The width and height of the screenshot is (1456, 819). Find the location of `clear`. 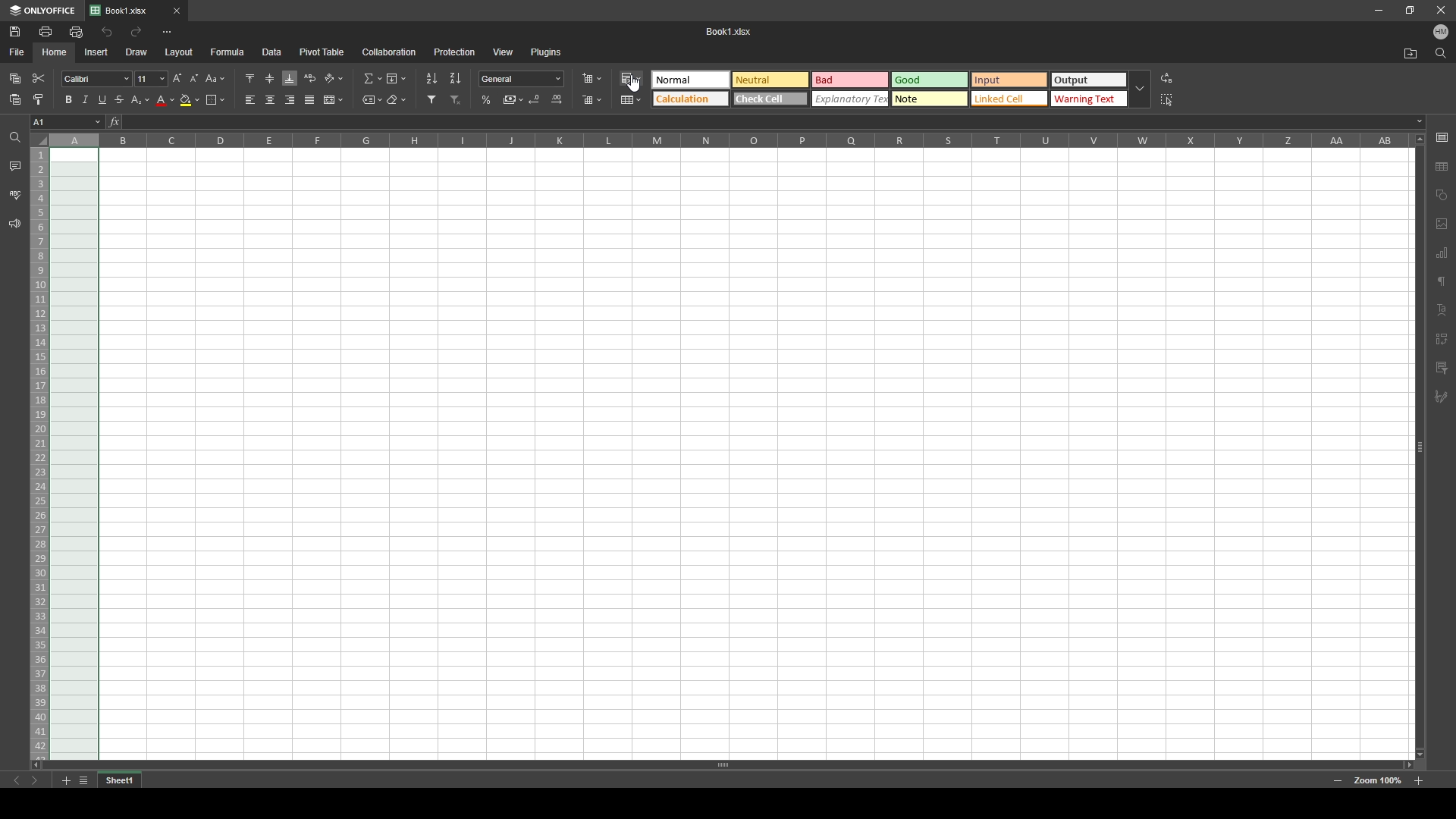

clear is located at coordinates (397, 100).